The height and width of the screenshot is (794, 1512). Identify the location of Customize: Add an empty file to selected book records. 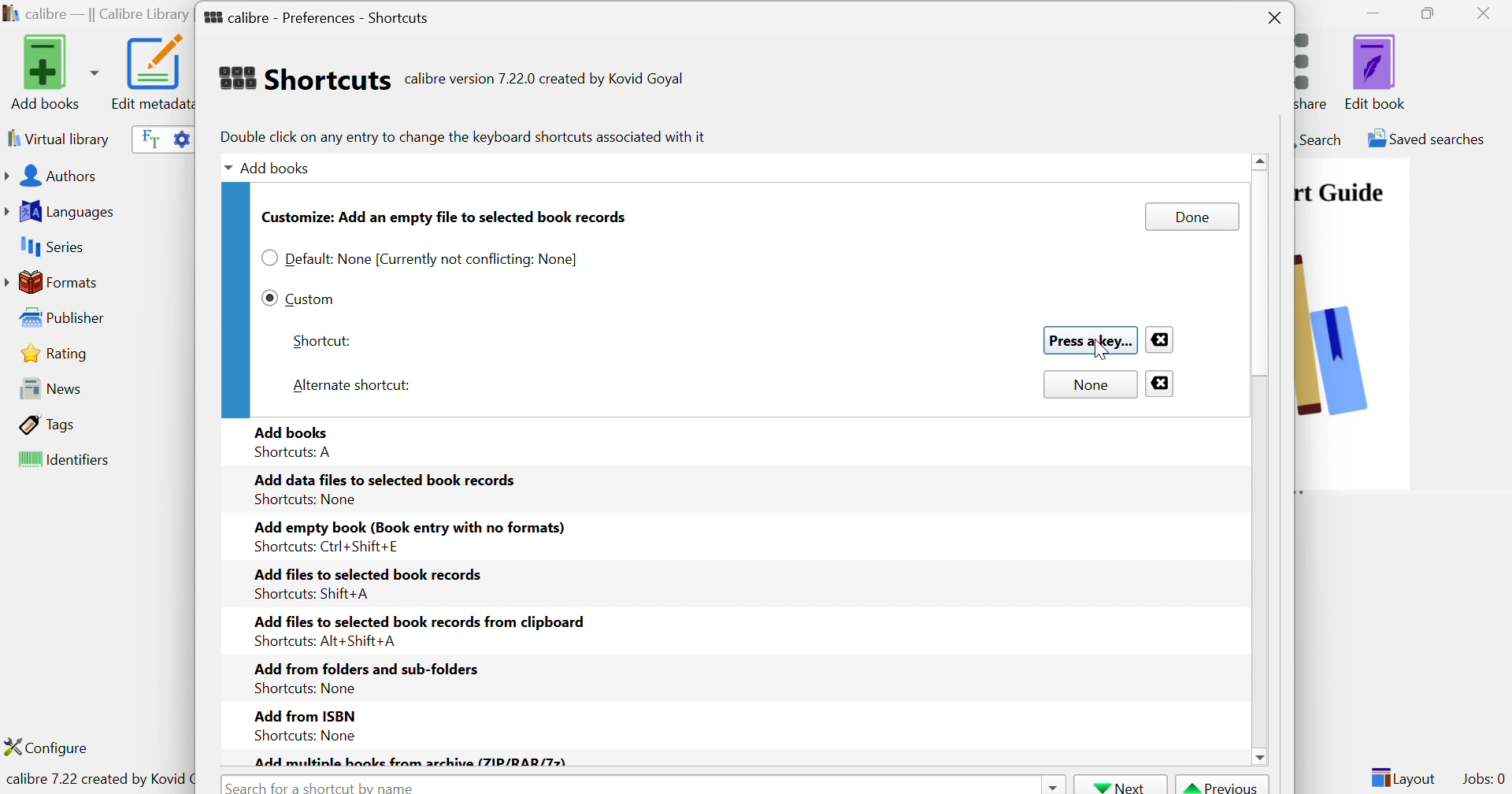
(445, 217).